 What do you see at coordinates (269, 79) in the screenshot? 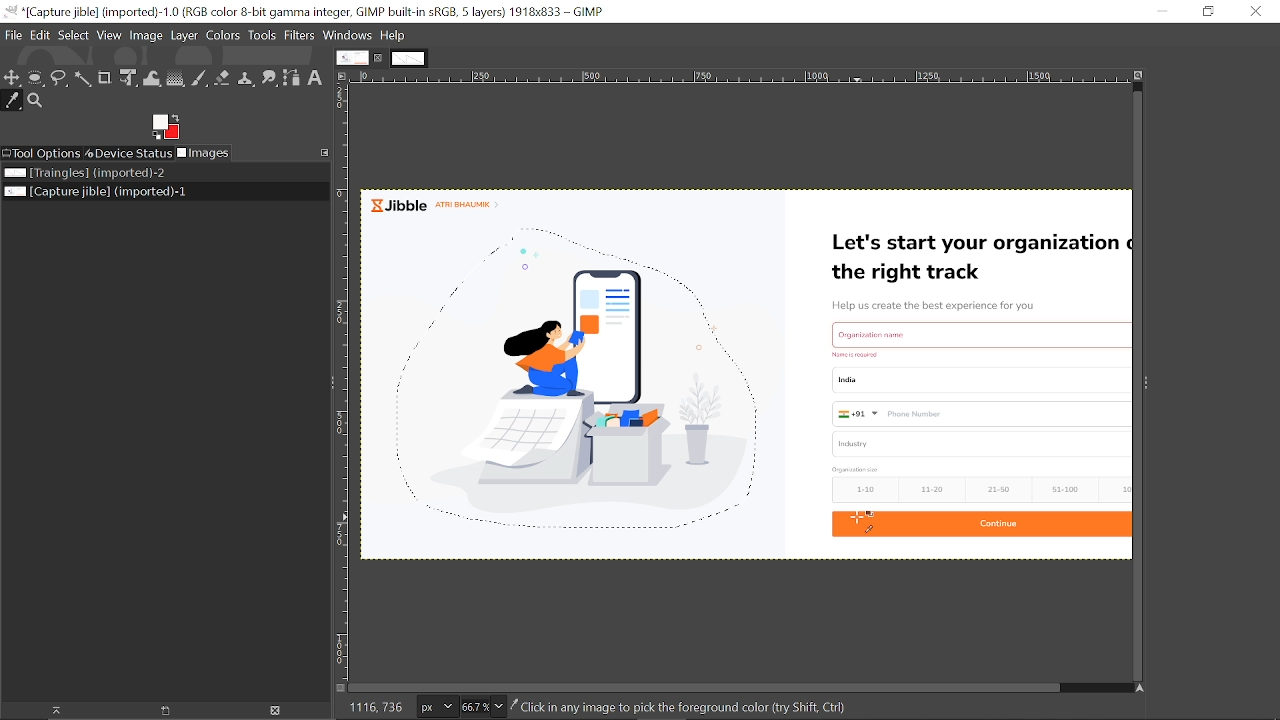
I see `Smudge tool` at bounding box center [269, 79].